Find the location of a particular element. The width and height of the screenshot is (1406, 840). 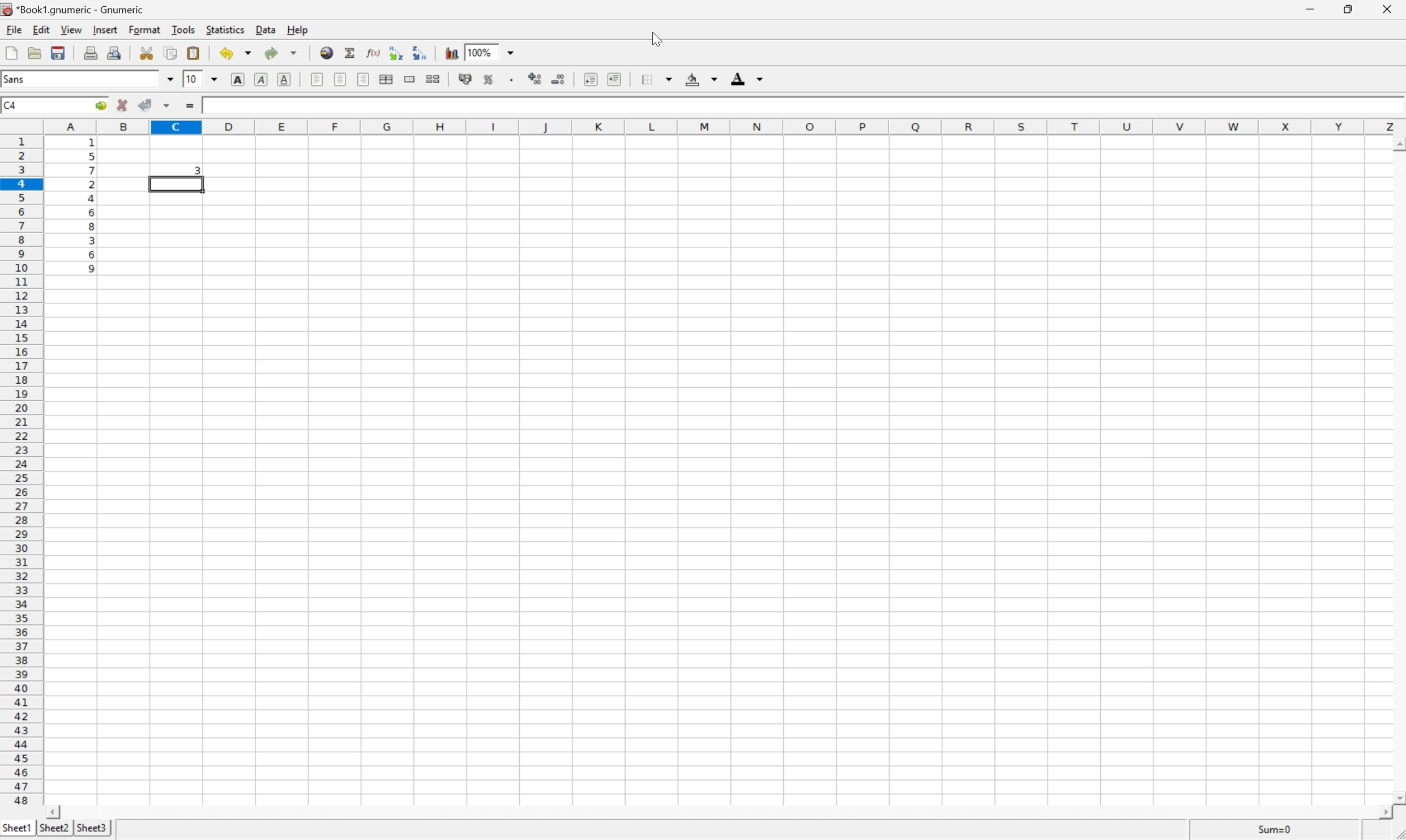

redo is located at coordinates (282, 54).